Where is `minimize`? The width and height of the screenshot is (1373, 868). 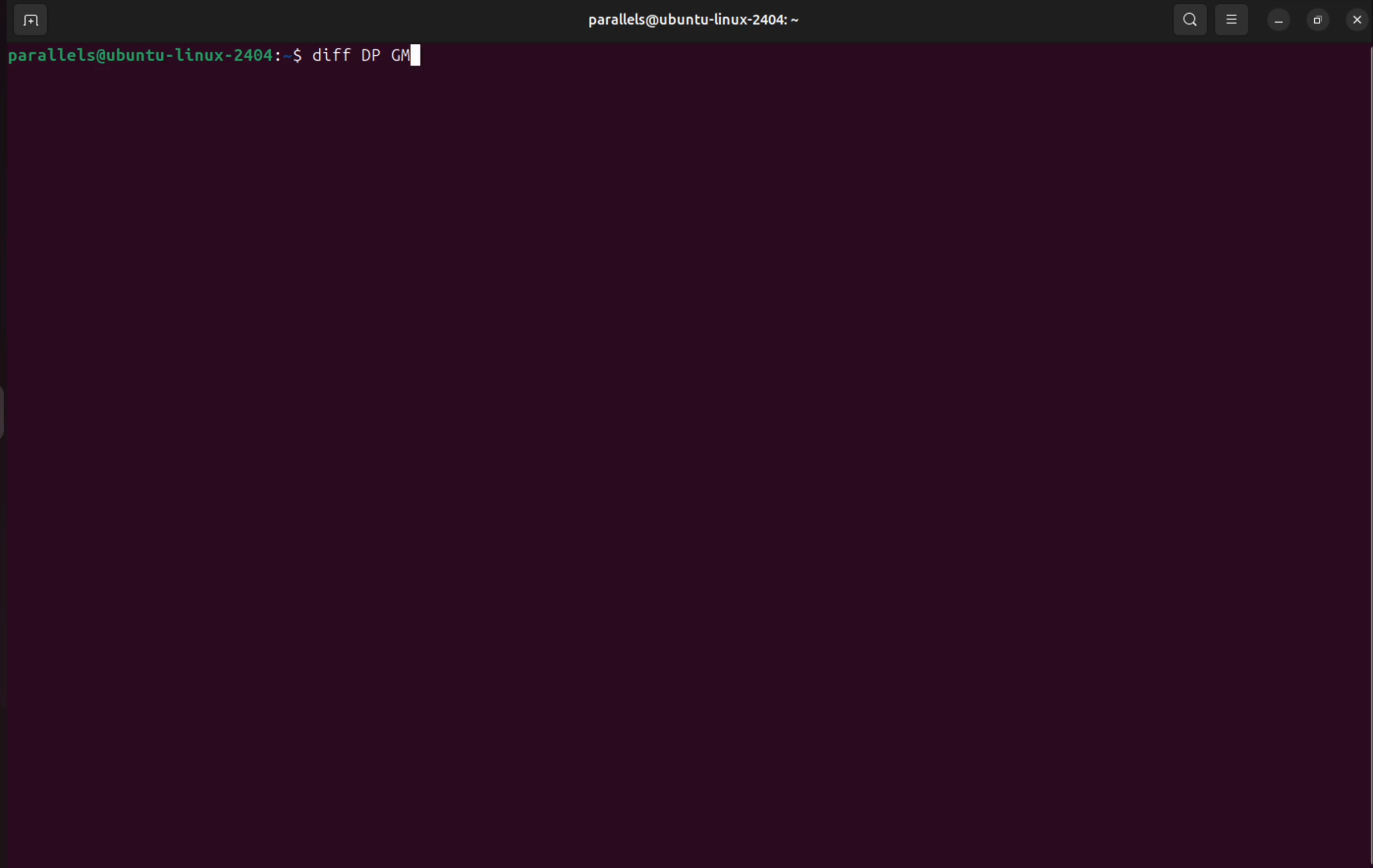
minimize is located at coordinates (1279, 22).